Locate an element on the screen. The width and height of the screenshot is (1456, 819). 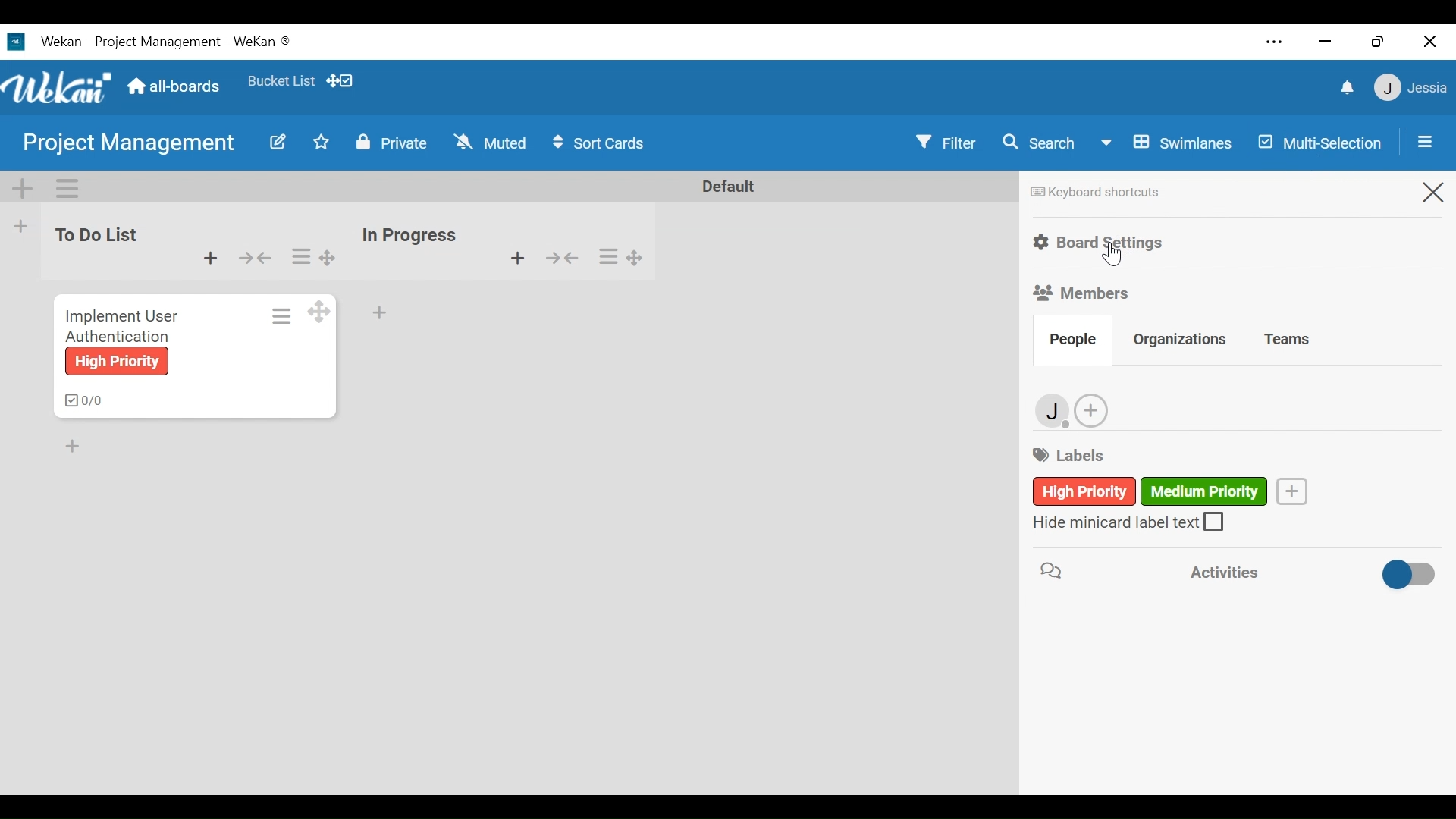
List Name is located at coordinates (93, 234).